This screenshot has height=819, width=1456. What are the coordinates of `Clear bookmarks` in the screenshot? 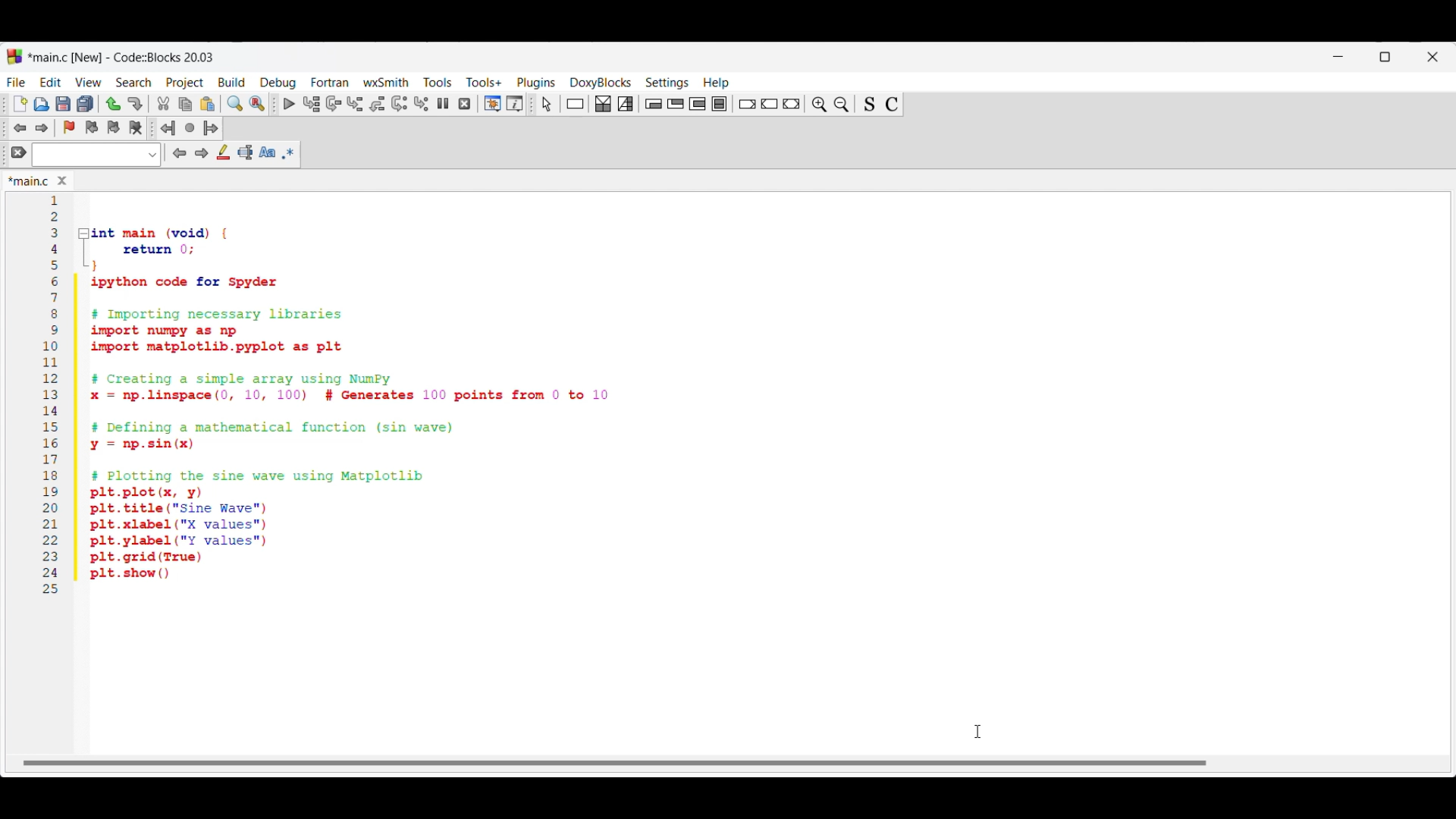 It's located at (135, 128).